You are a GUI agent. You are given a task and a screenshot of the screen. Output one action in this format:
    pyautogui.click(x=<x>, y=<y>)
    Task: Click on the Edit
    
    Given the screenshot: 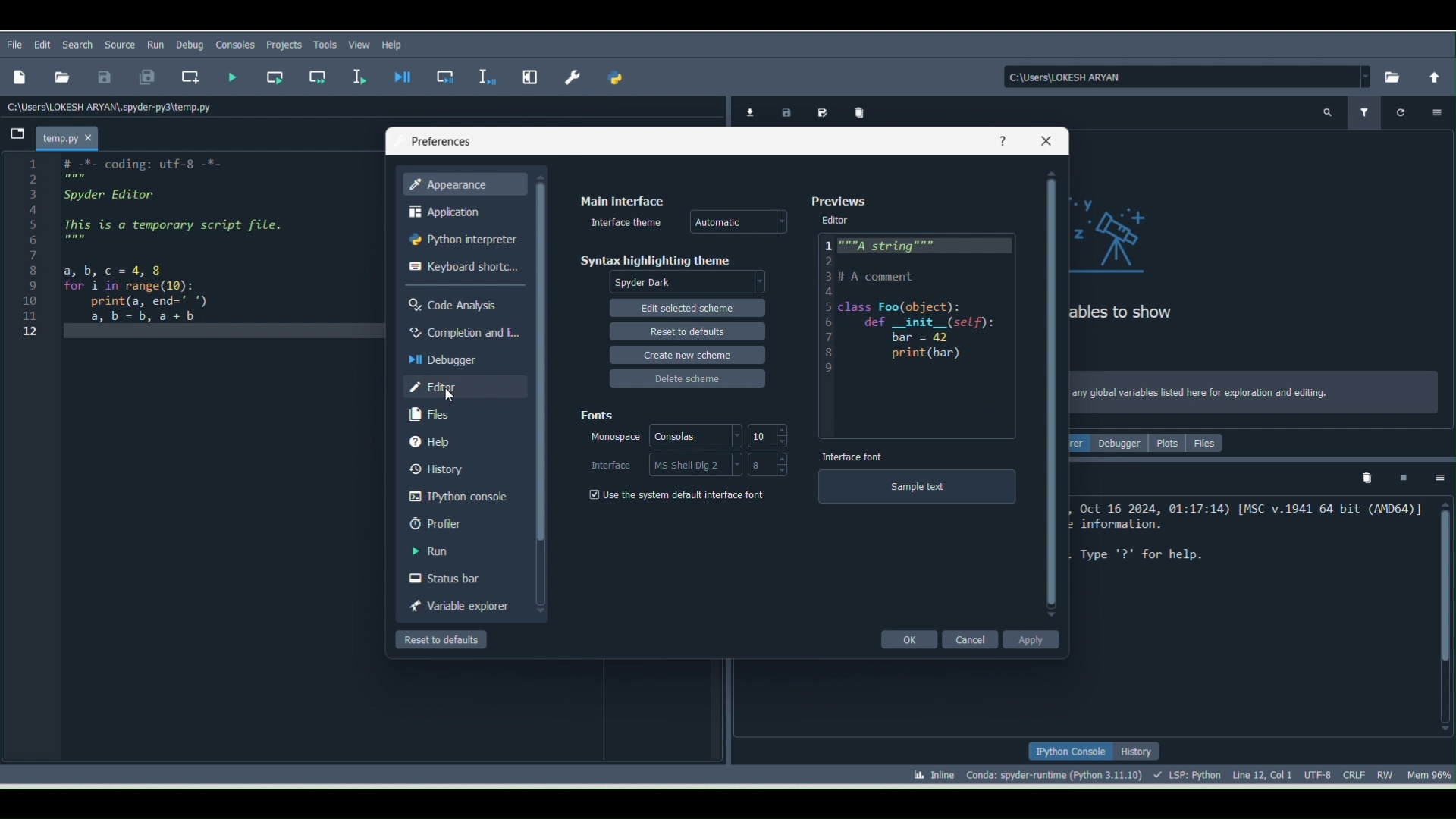 What is the action you would take?
    pyautogui.click(x=45, y=45)
    